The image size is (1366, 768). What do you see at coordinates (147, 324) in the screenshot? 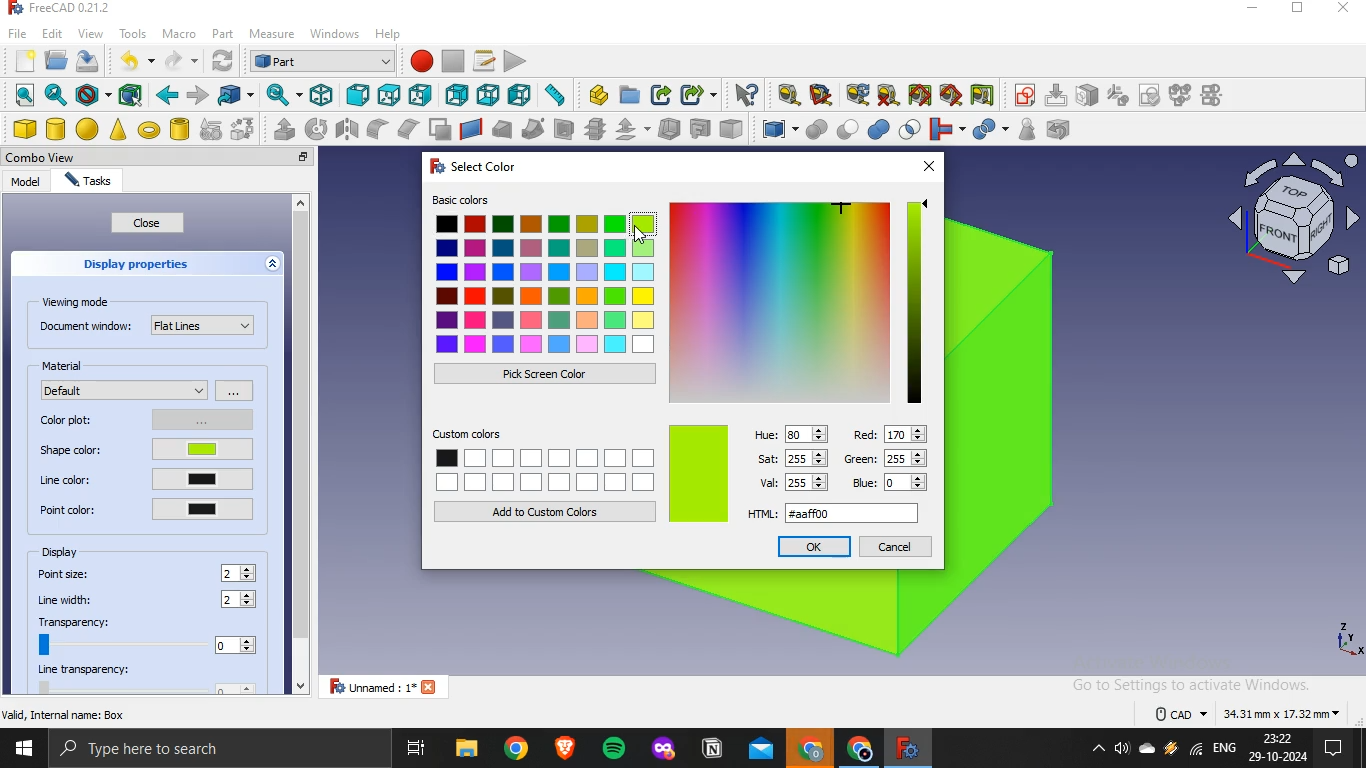
I see `document window` at bounding box center [147, 324].